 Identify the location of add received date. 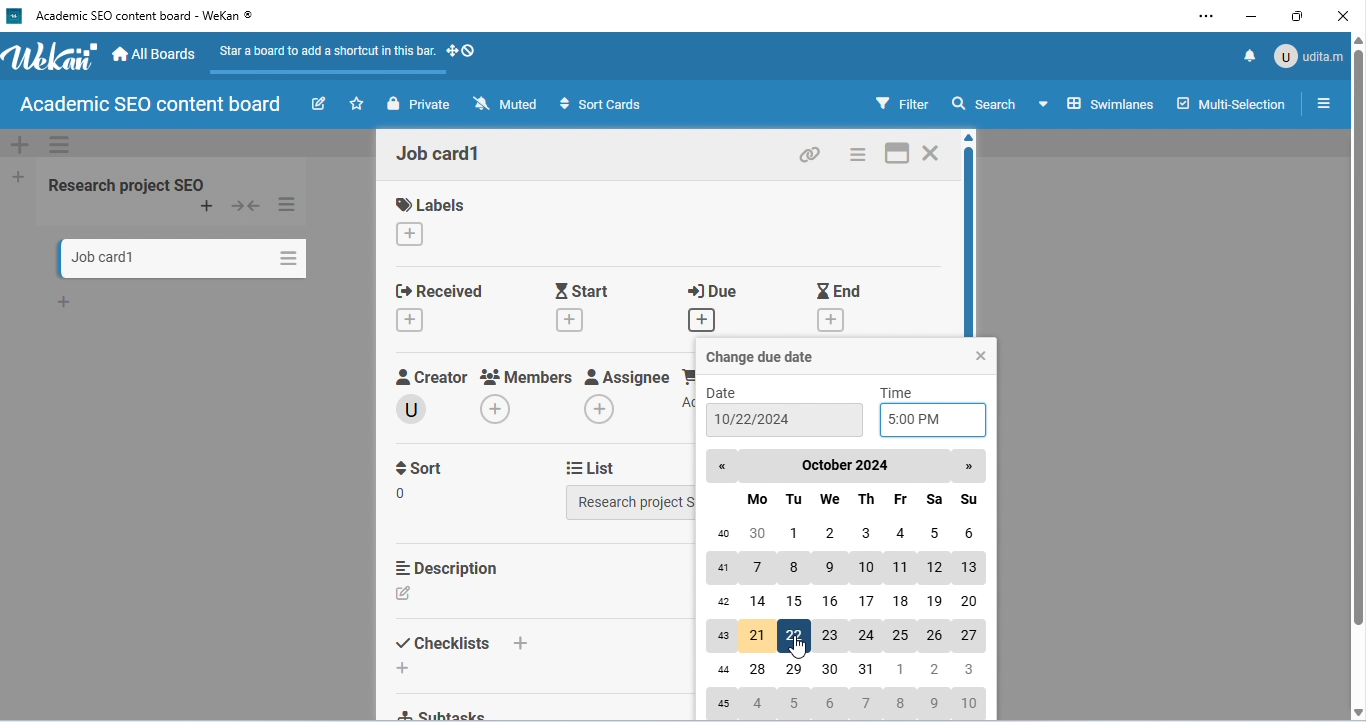
(412, 319).